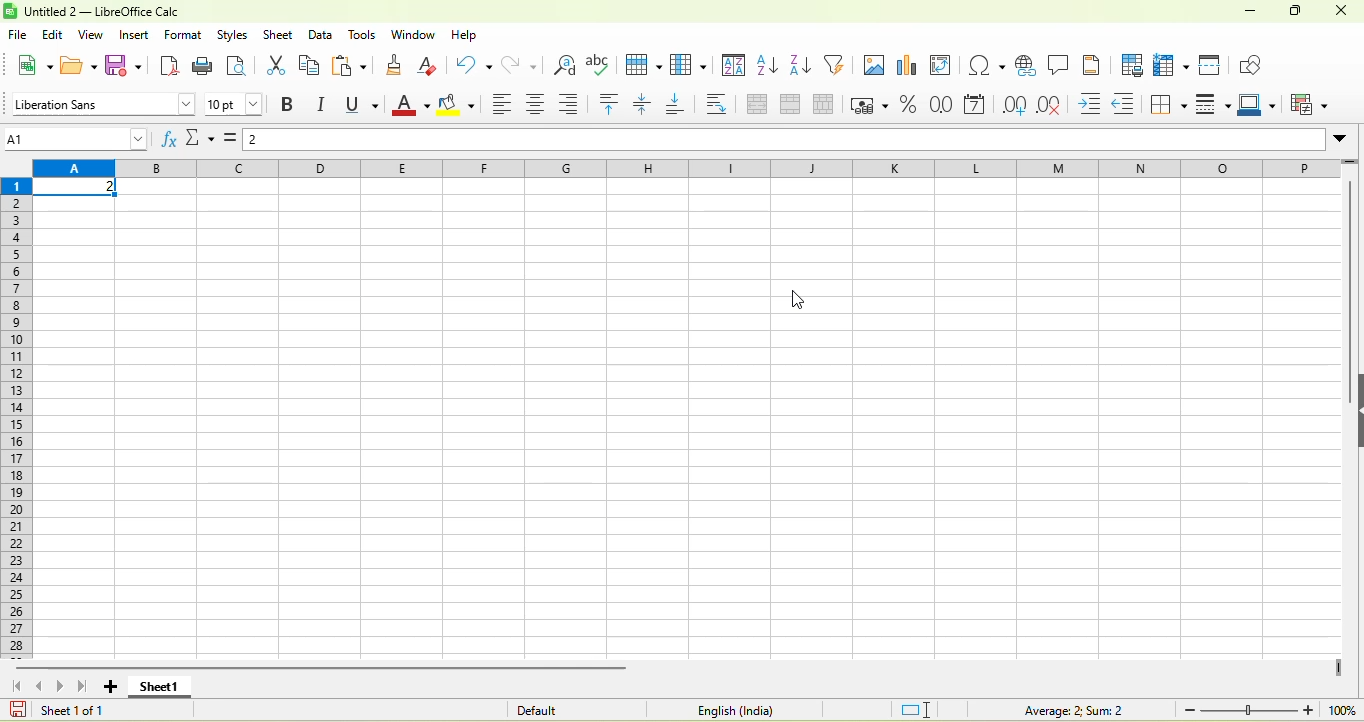 This screenshot has width=1364, height=722. I want to click on sort, so click(734, 68).